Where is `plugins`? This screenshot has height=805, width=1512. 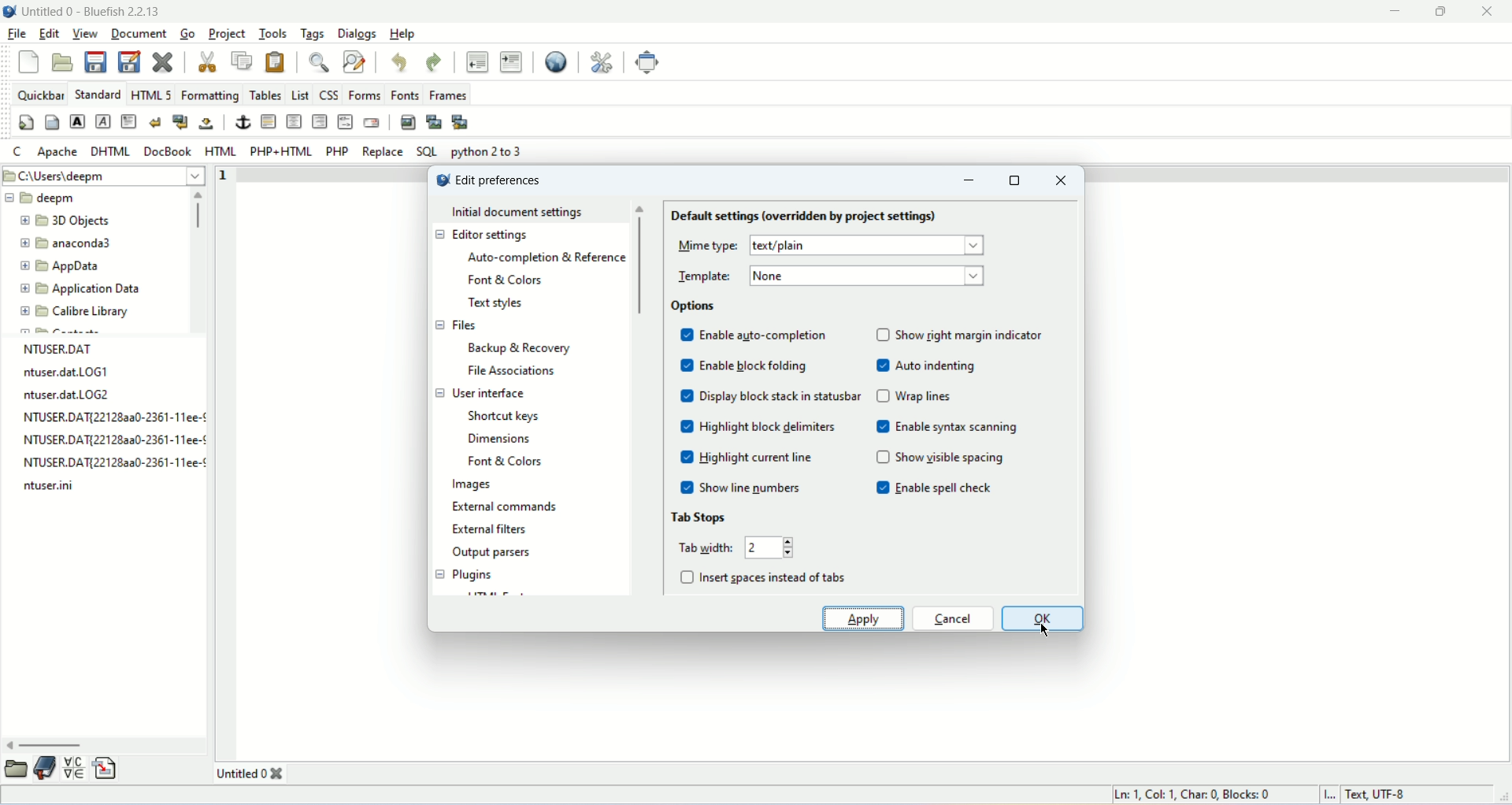
plugins is located at coordinates (462, 575).